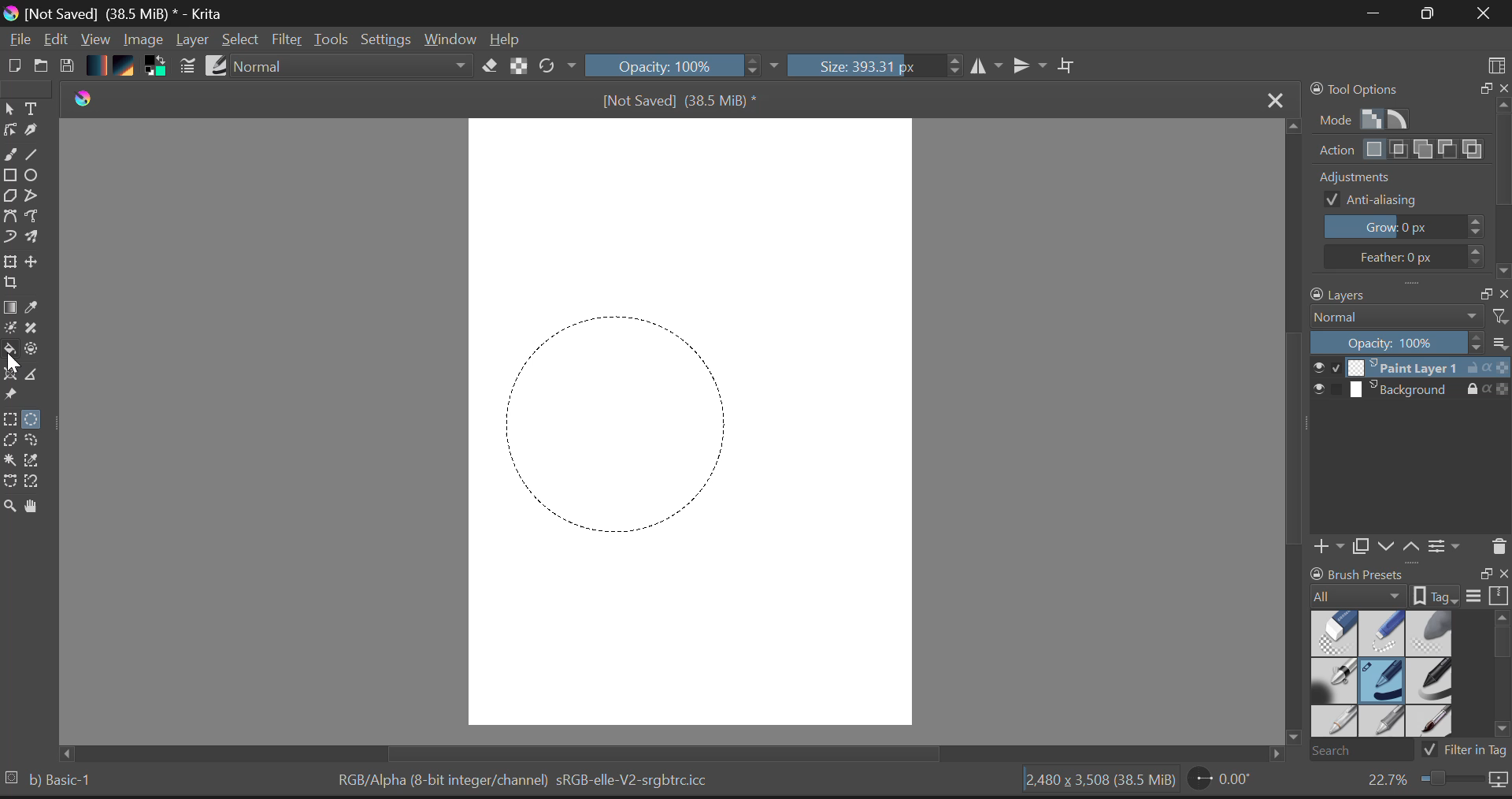  I want to click on Document Dimensions, so click(1097, 782).